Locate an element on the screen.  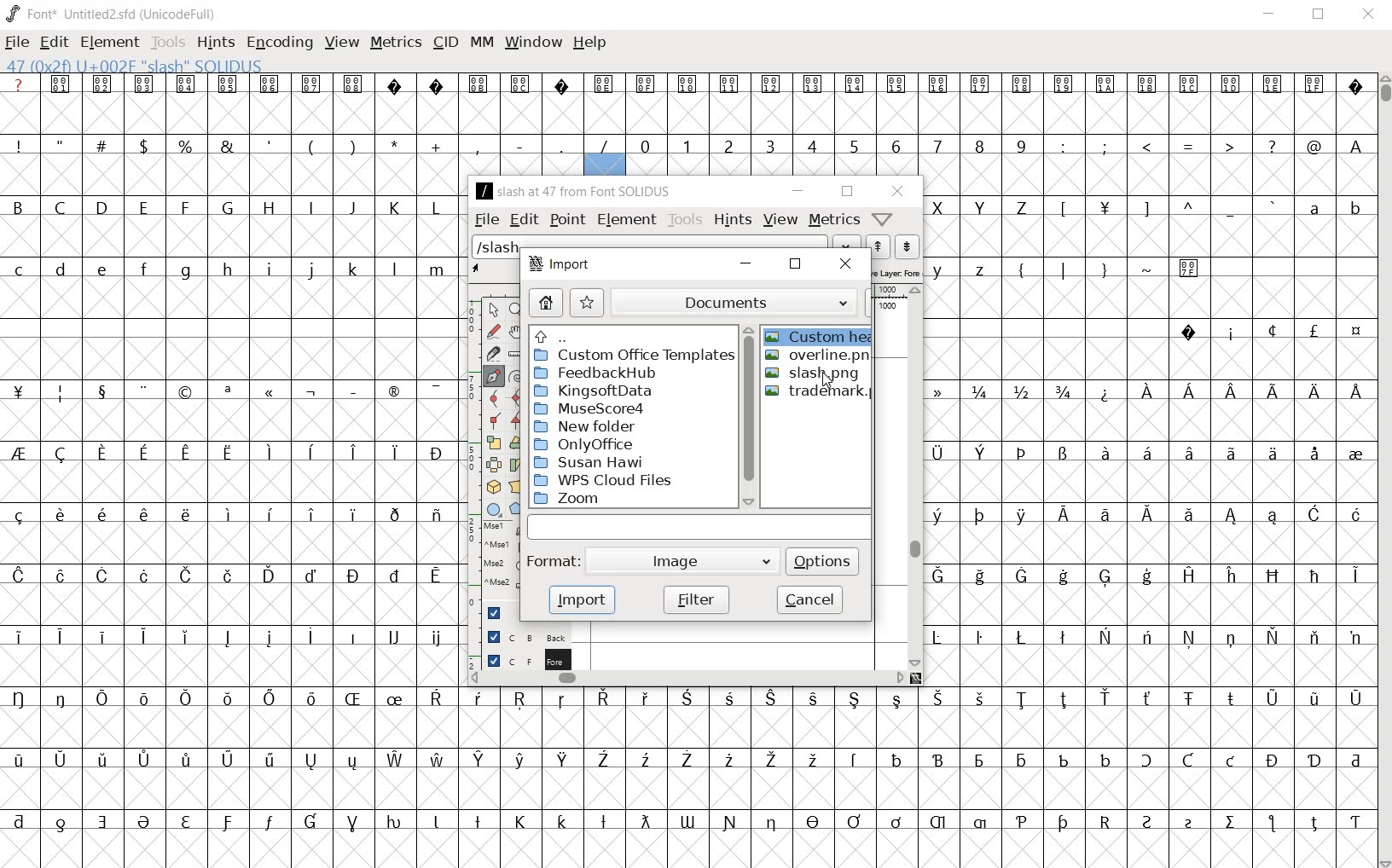
minimize is located at coordinates (797, 190).